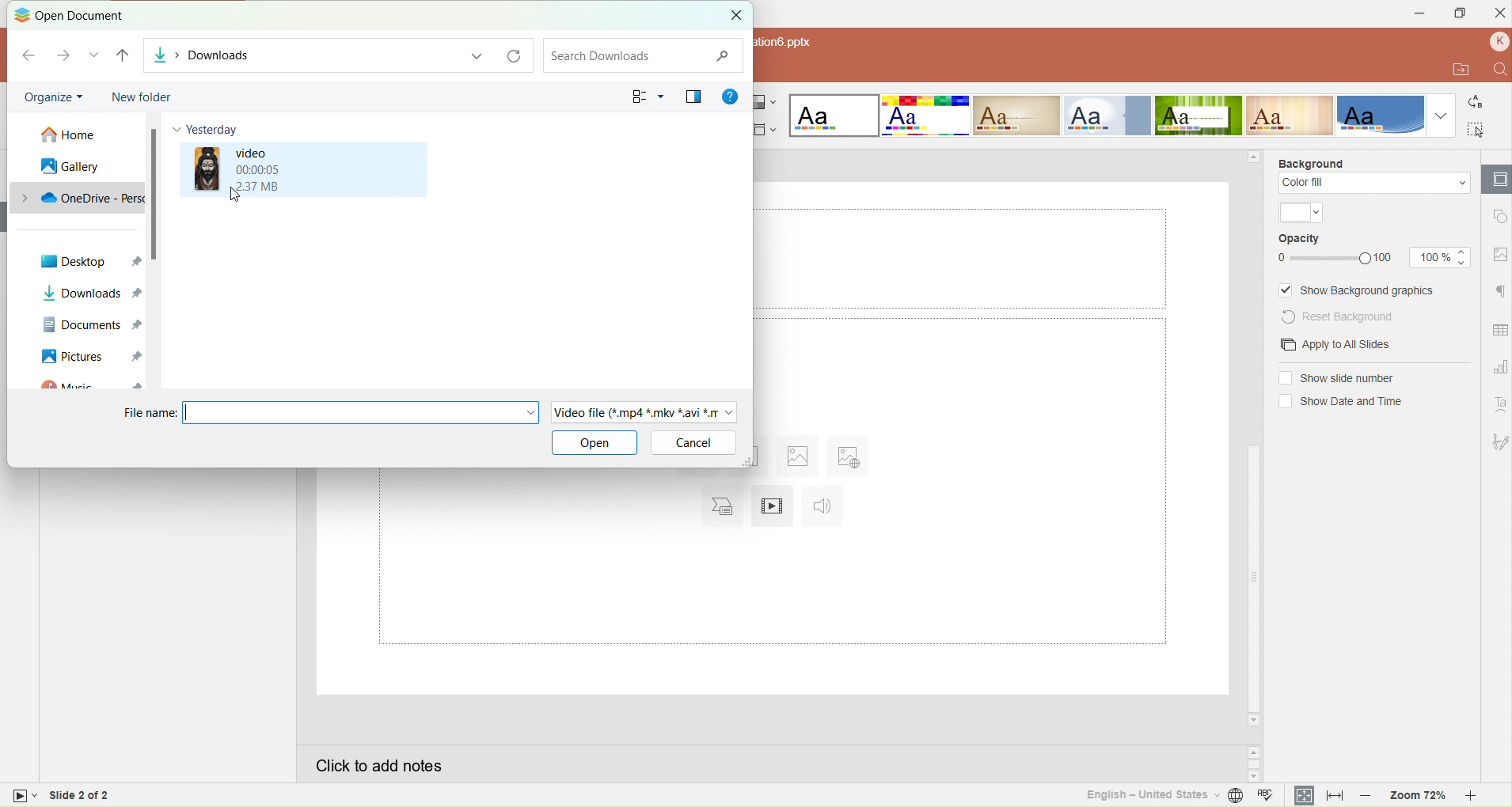  I want to click on Fit to slide, so click(1303, 795).